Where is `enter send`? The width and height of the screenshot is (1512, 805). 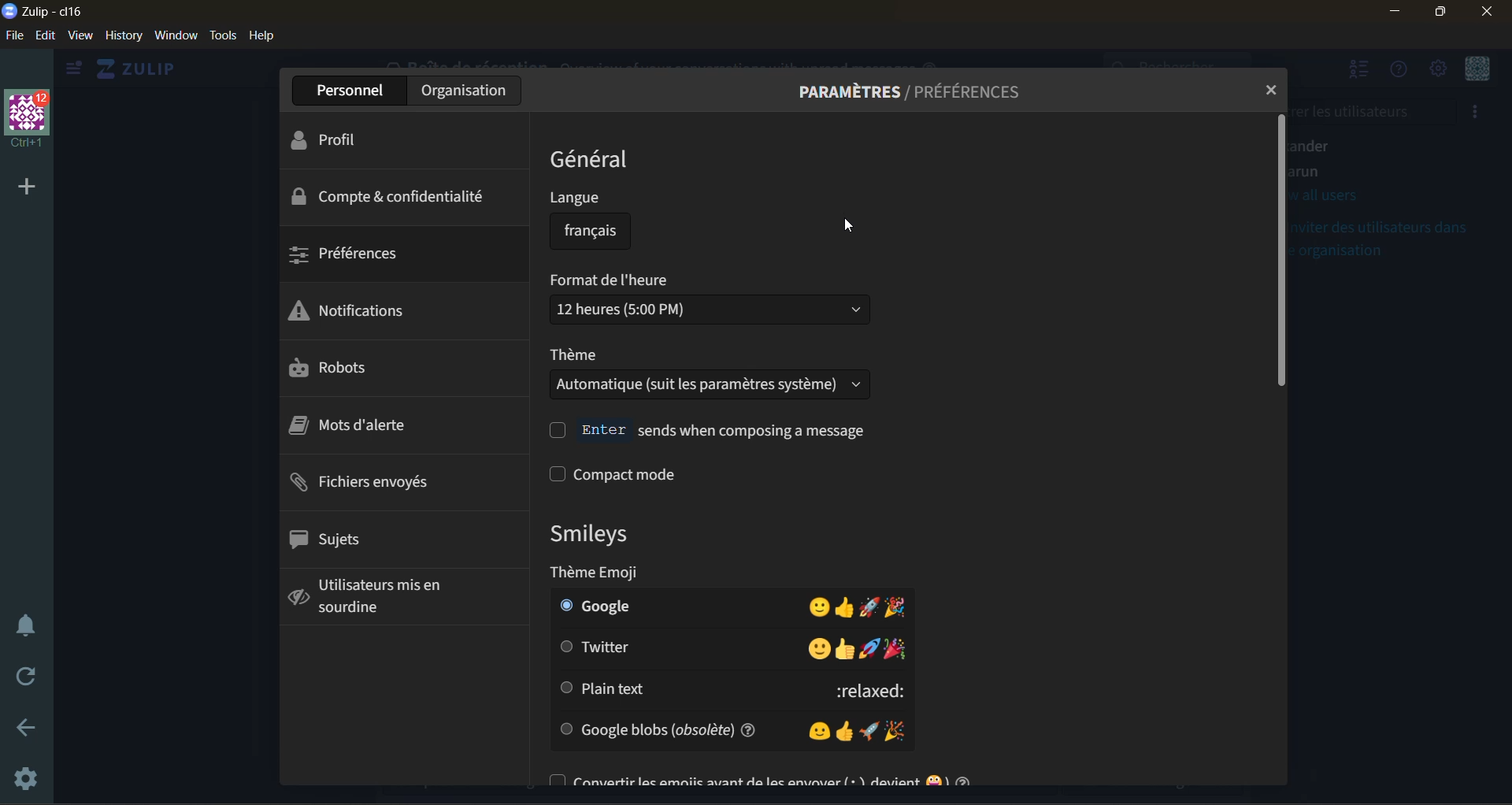 enter send is located at coordinates (707, 430).